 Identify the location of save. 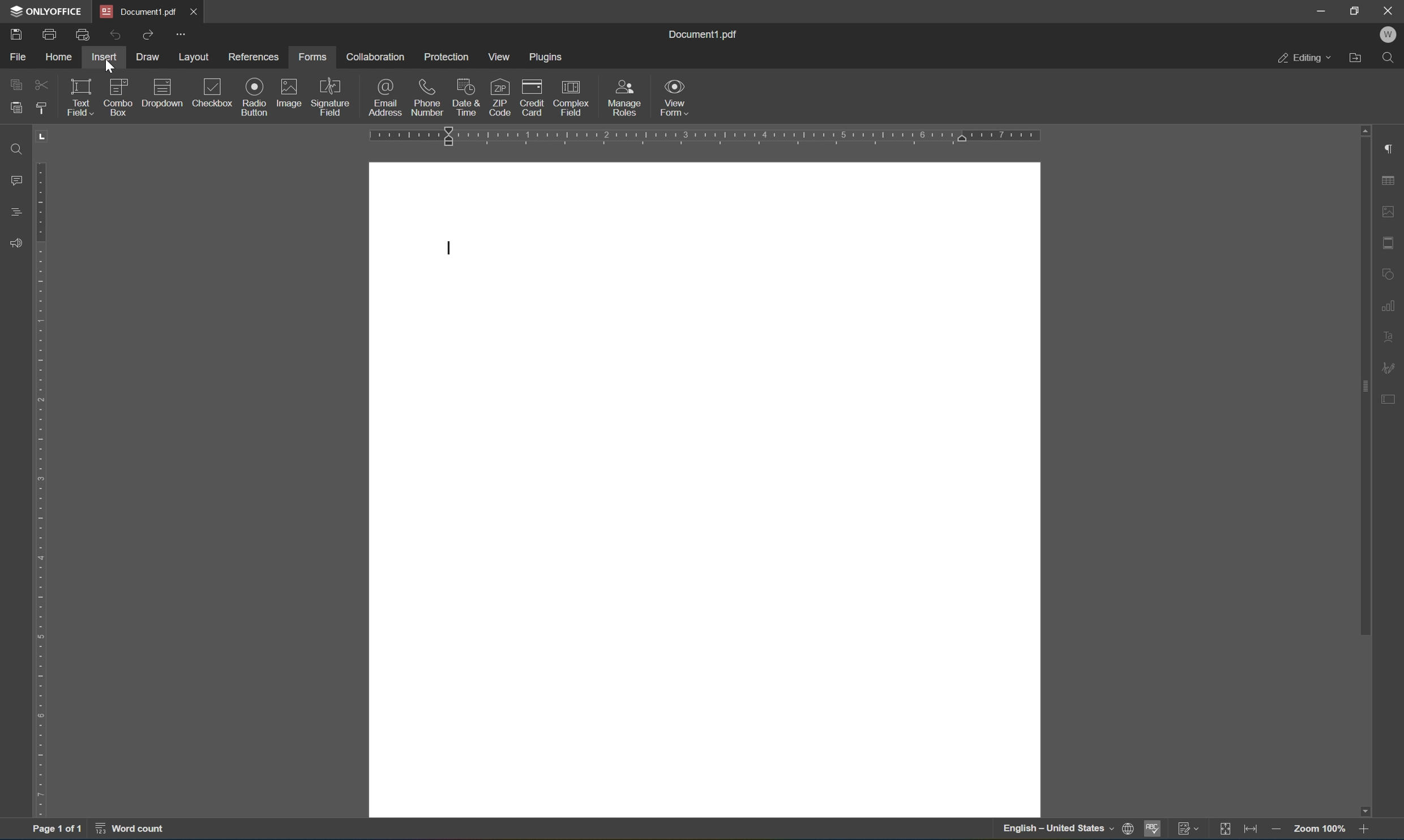
(14, 34).